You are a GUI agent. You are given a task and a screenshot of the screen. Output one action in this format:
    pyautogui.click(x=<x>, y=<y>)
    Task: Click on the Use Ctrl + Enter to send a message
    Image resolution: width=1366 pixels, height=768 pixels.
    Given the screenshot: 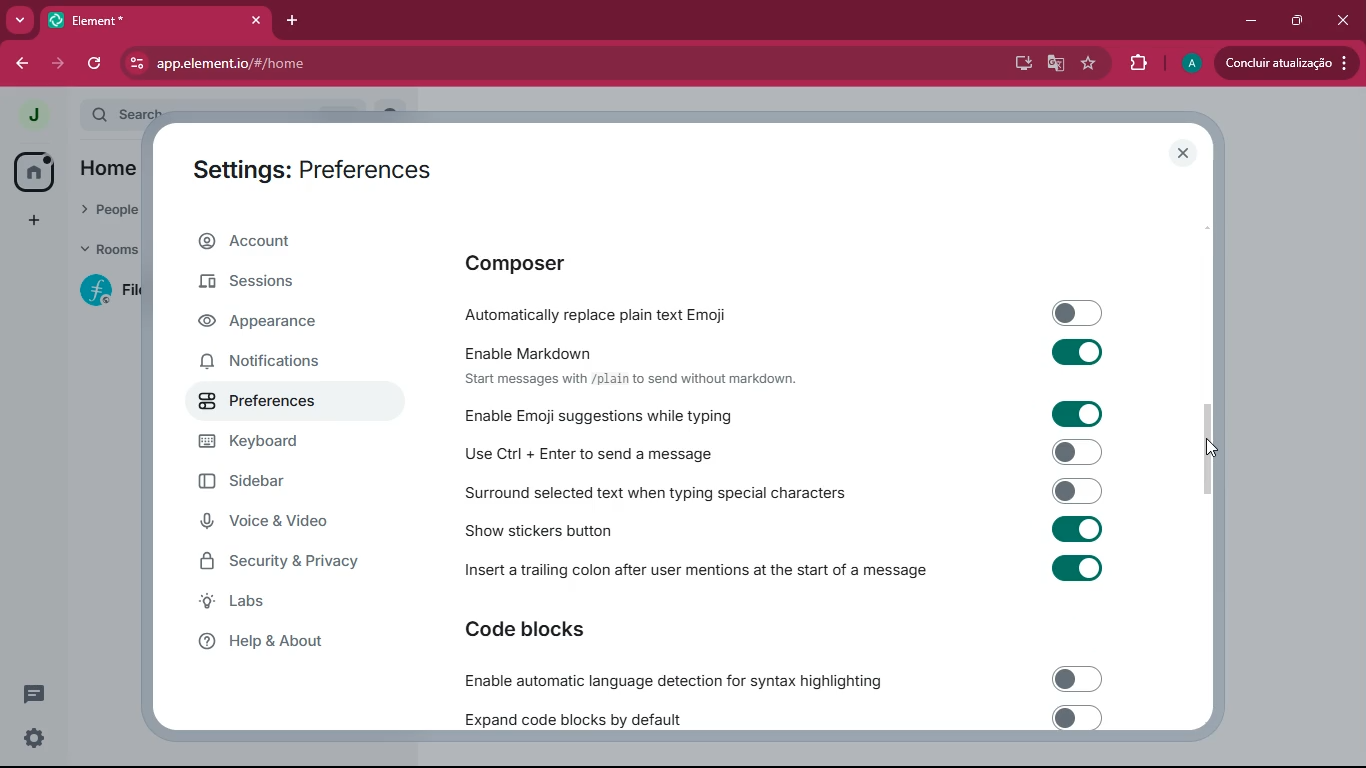 What is the action you would take?
    pyautogui.click(x=787, y=451)
    